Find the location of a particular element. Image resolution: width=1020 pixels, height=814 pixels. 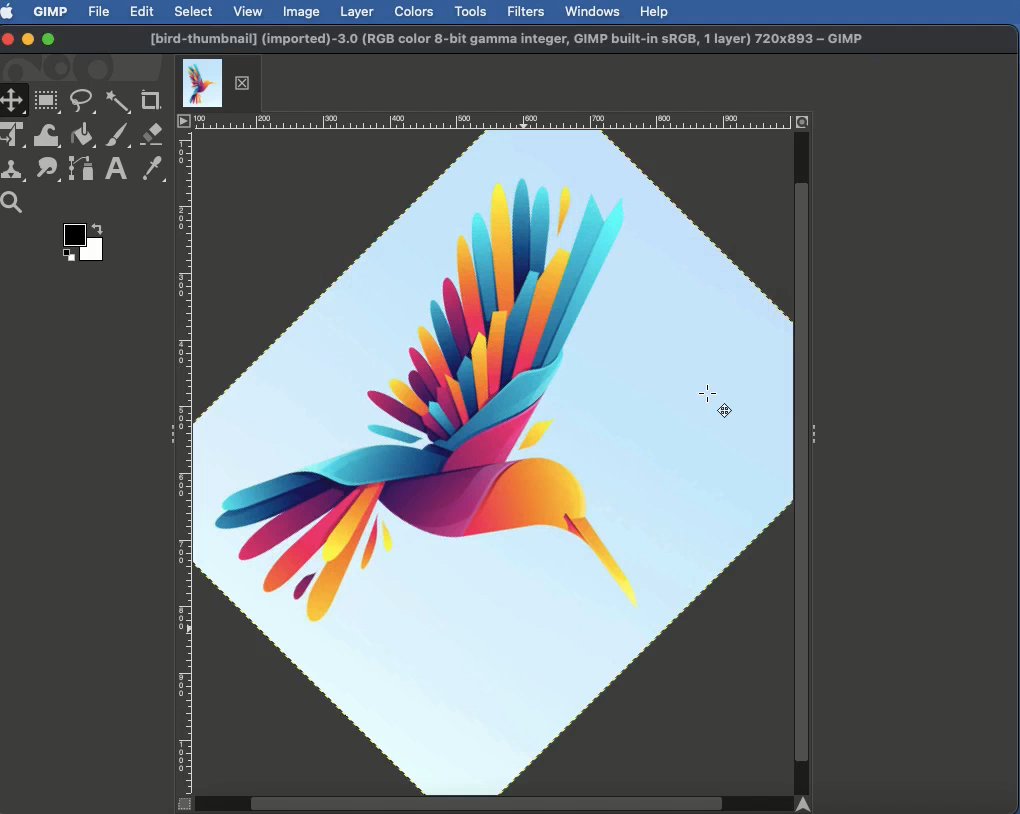

Zoom image when window size changes is located at coordinates (804, 120).